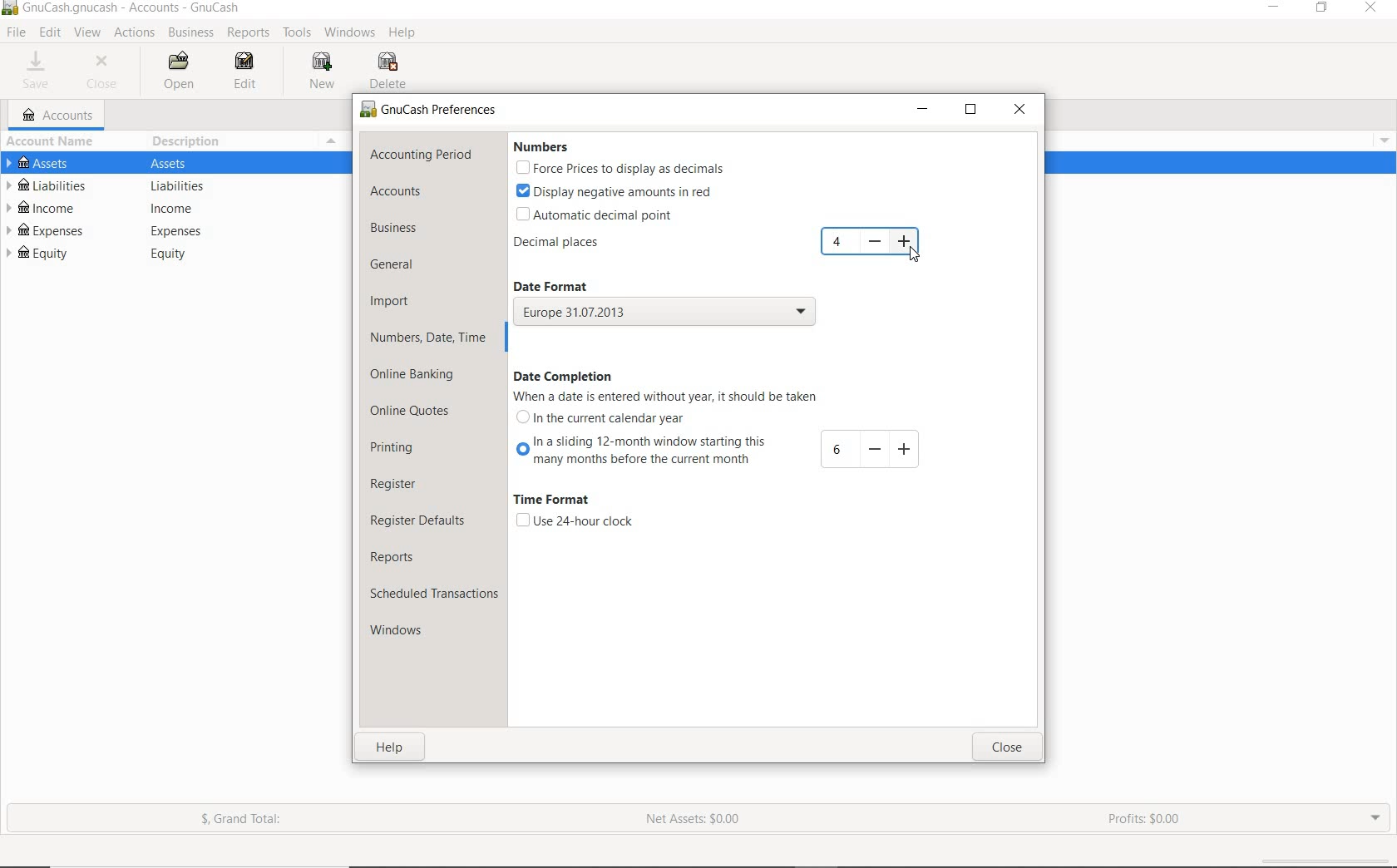 The width and height of the screenshot is (1397, 868). Describe the element at coordinates (1382, 138) in the screenshot. I see `expand` at that location.